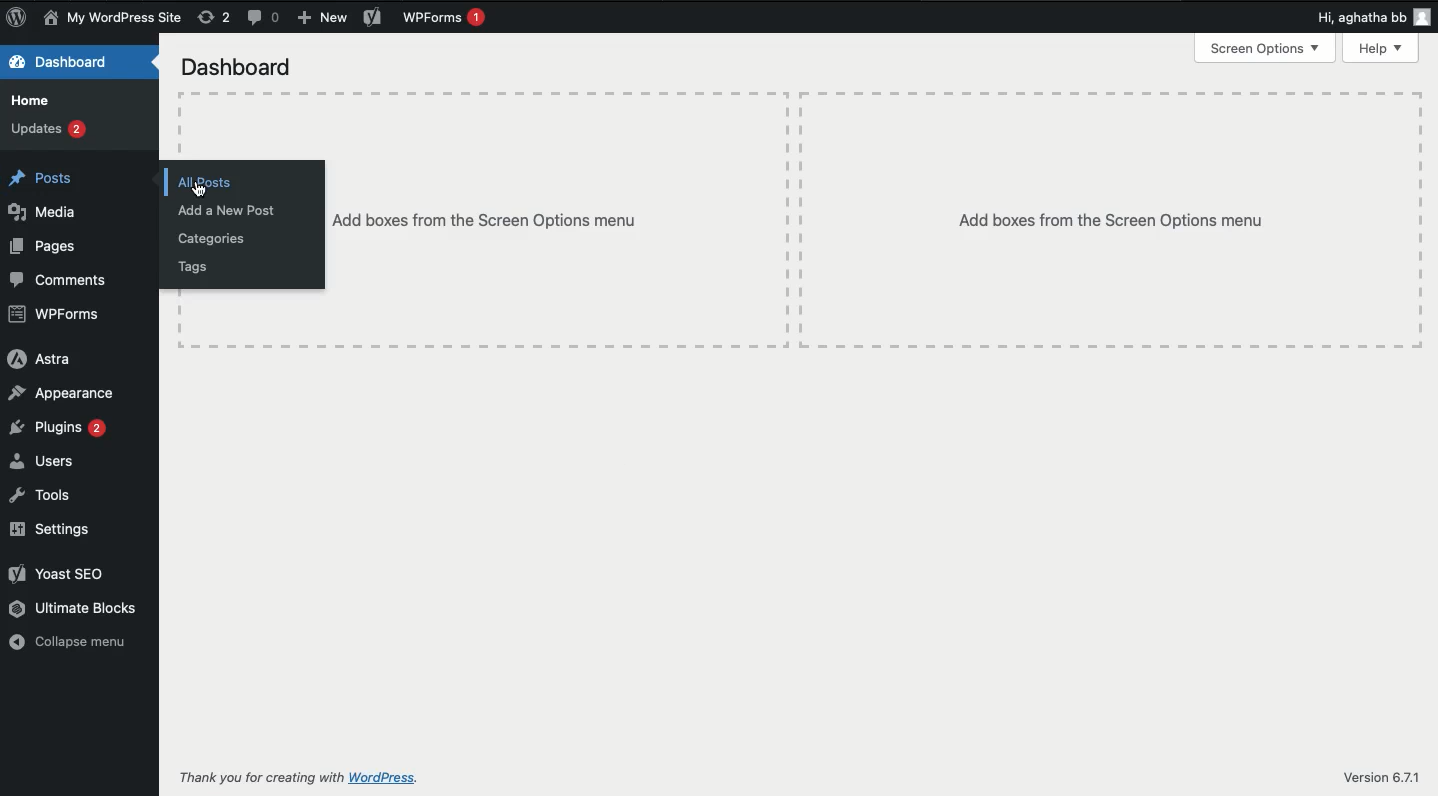 This screenshot has width=1438, height=796. I want to click on Appearance, so click(65, 394).